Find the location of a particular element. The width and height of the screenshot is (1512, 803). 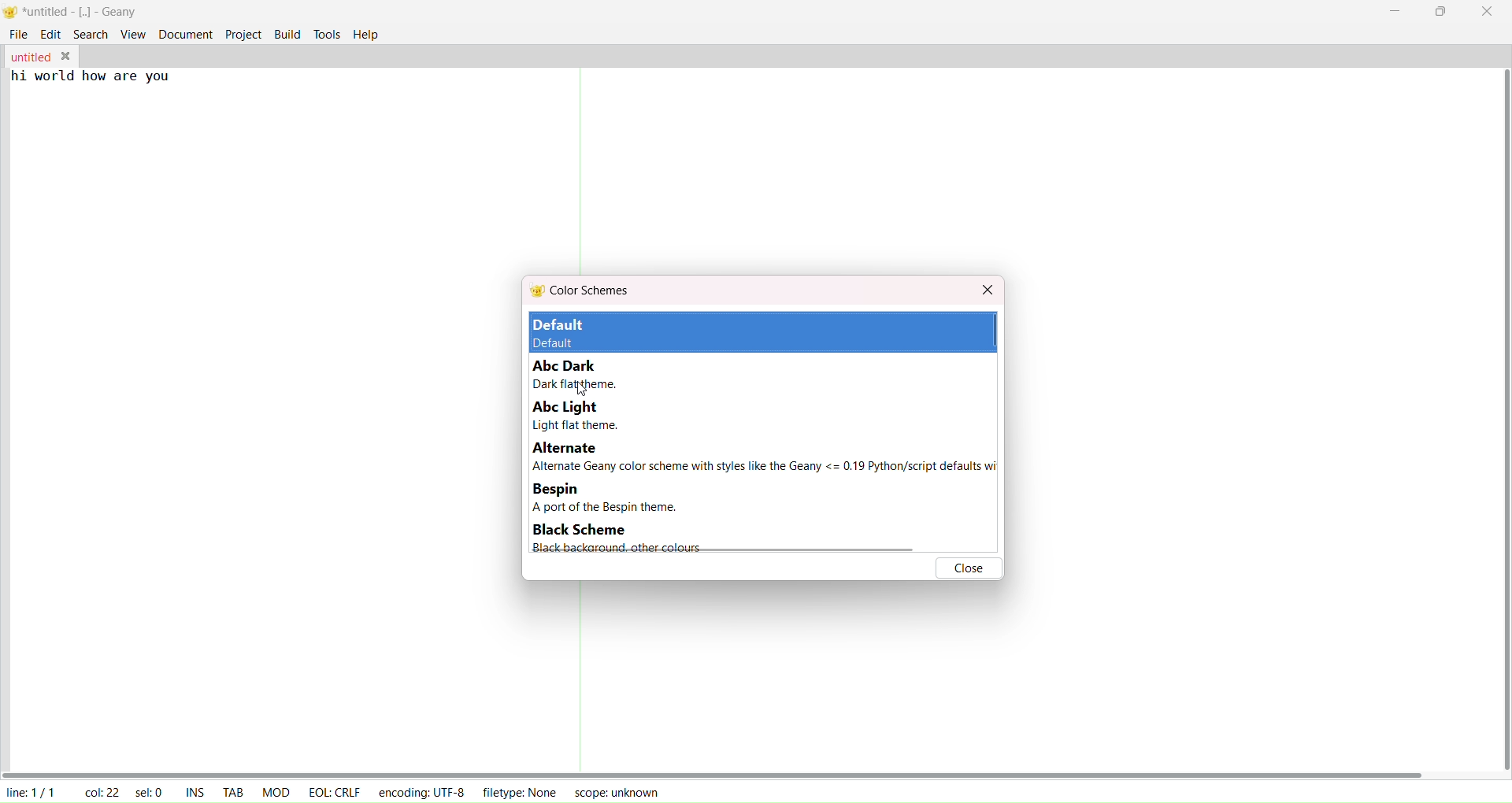

light flat theme is located at coordinates (575, 425).